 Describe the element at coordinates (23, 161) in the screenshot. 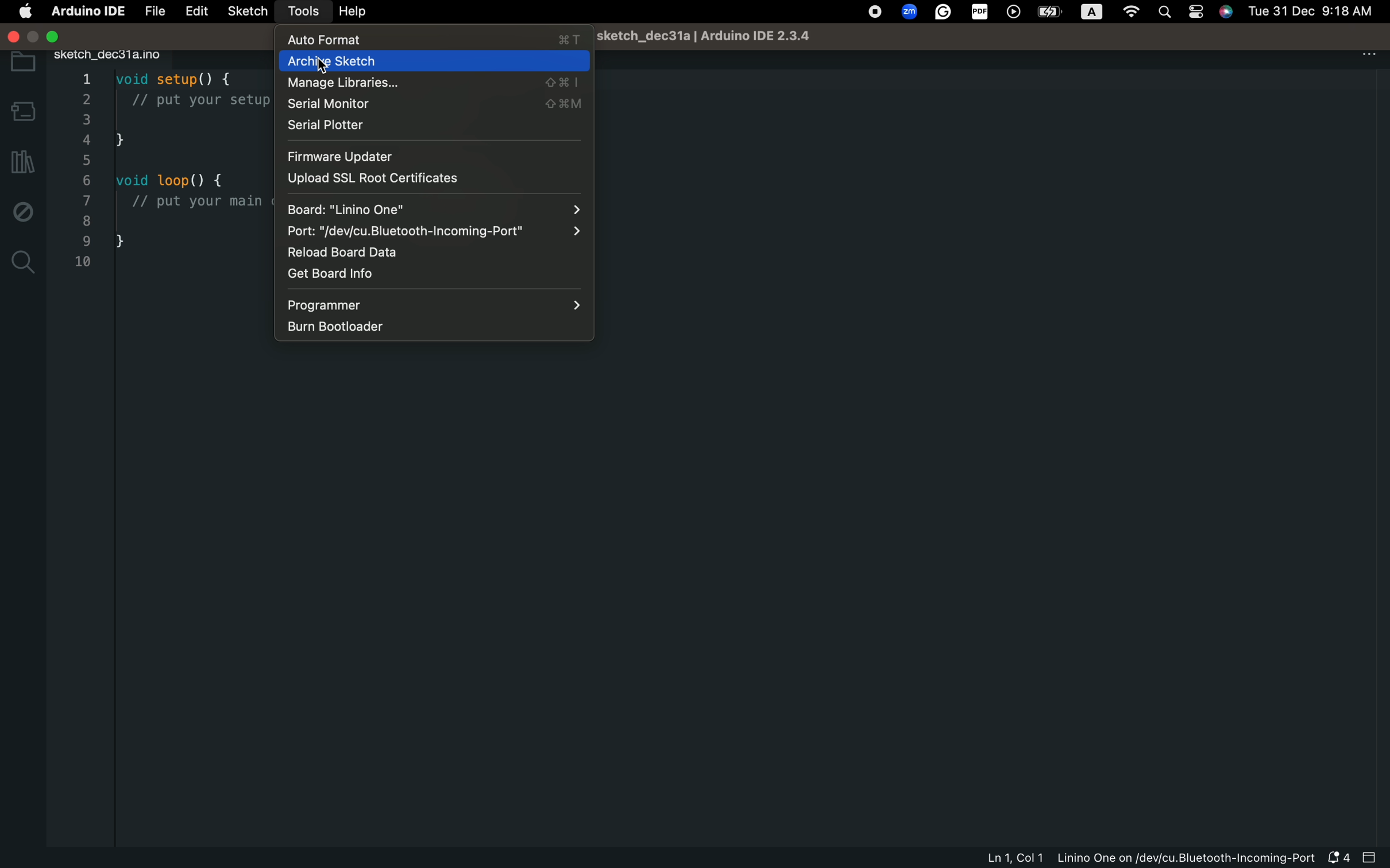

I see `library manager` at that location.